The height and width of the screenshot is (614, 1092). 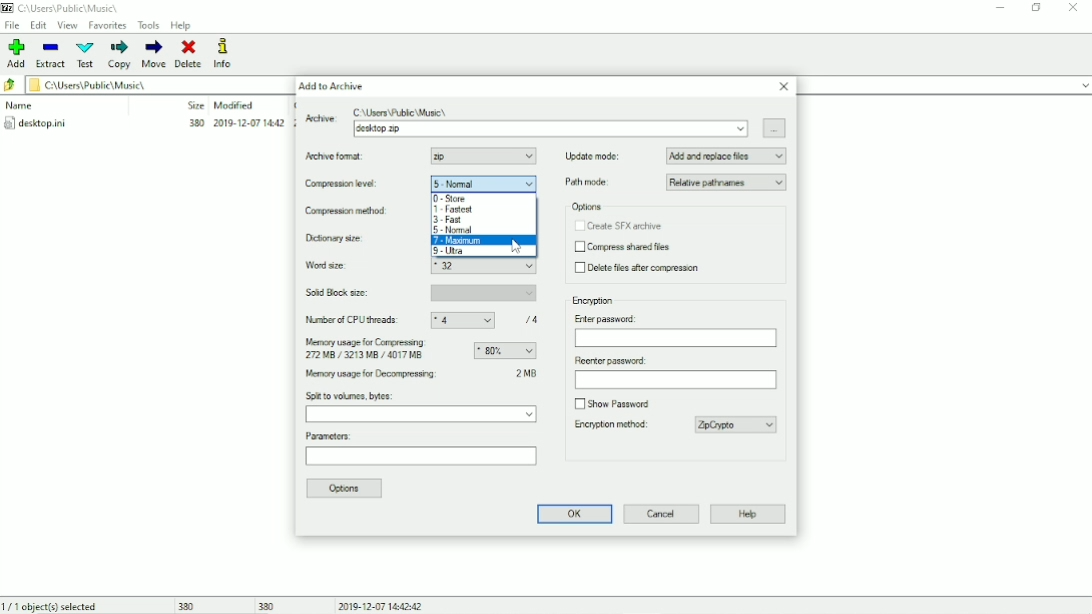 I want to click on 5 - Normal, so click(x=454, y=231).